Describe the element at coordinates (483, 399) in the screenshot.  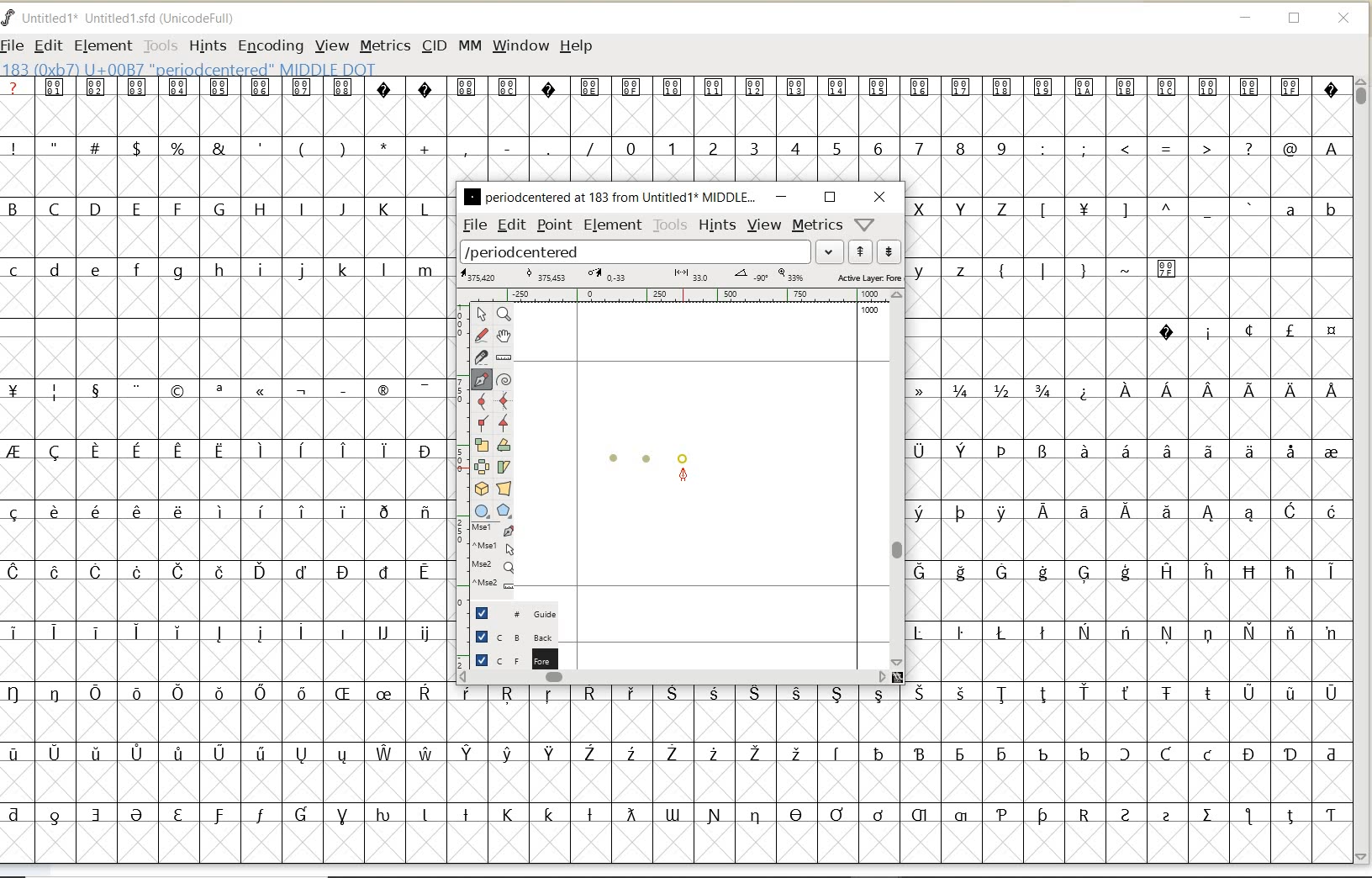
I see `add a curve point` at that location.